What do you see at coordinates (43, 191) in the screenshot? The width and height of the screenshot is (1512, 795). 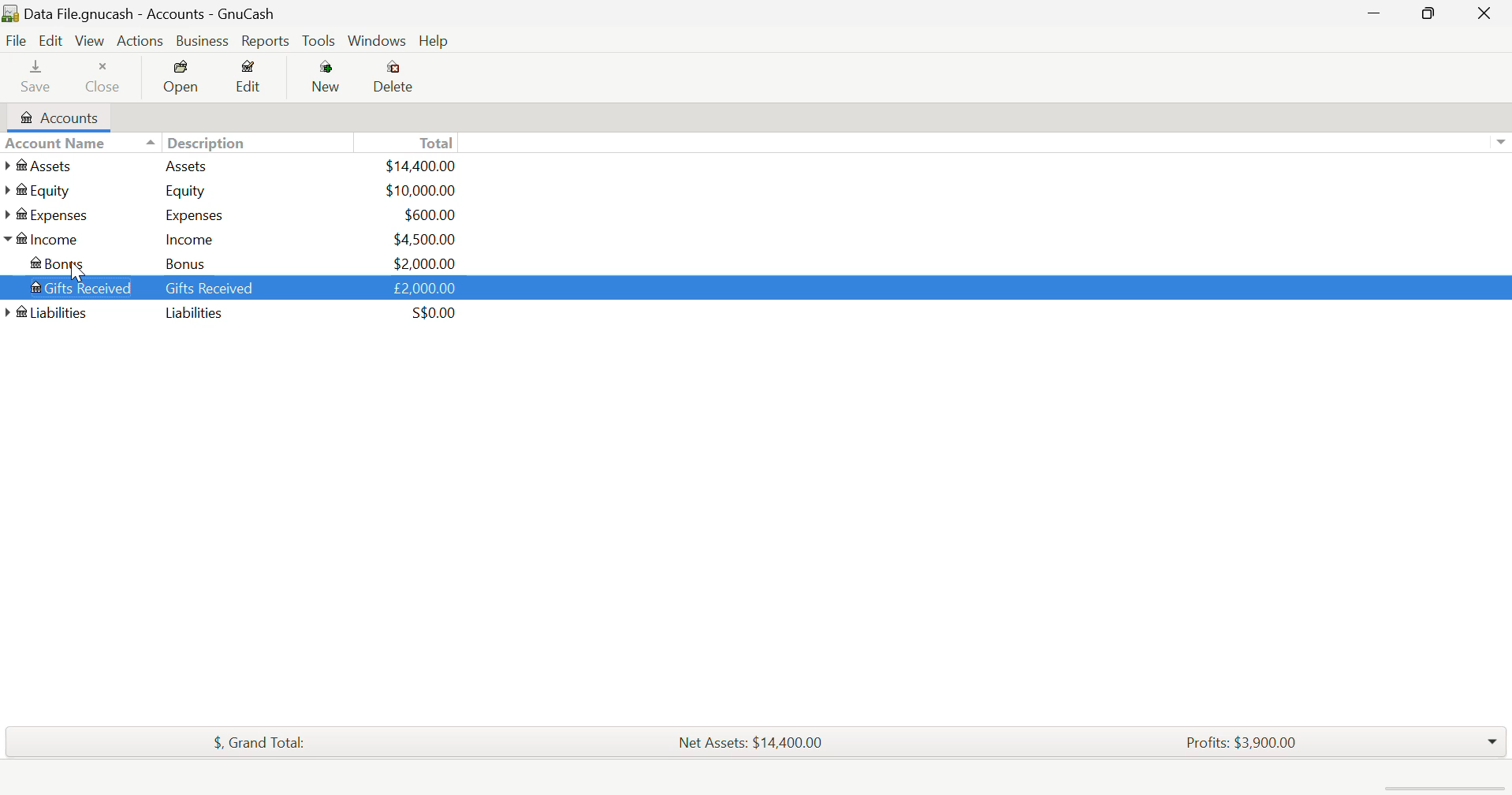 I see `Equity` at bounding box center [43, 191].